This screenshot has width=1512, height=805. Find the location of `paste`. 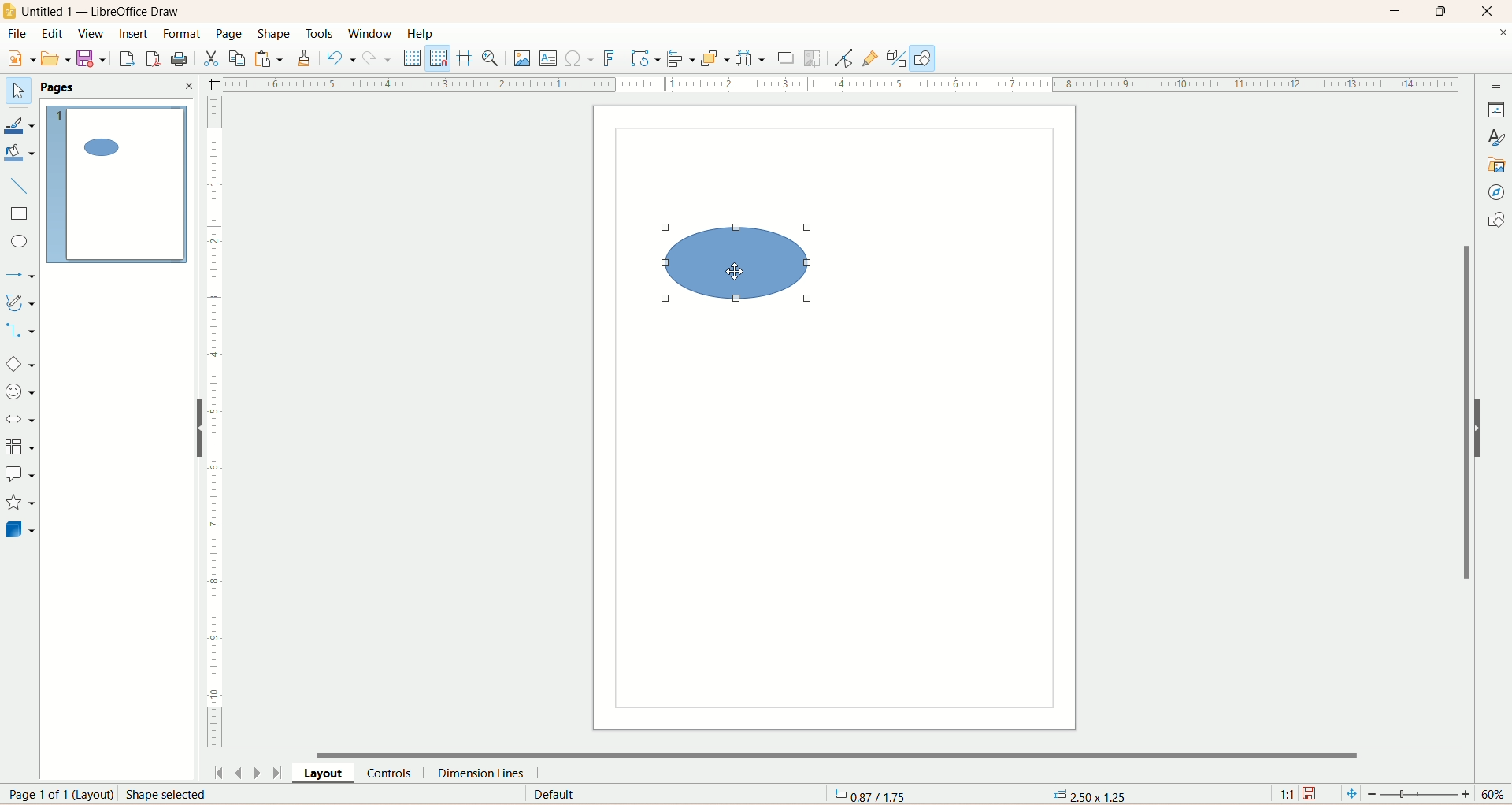

paste is located at coordinates (268, 58).